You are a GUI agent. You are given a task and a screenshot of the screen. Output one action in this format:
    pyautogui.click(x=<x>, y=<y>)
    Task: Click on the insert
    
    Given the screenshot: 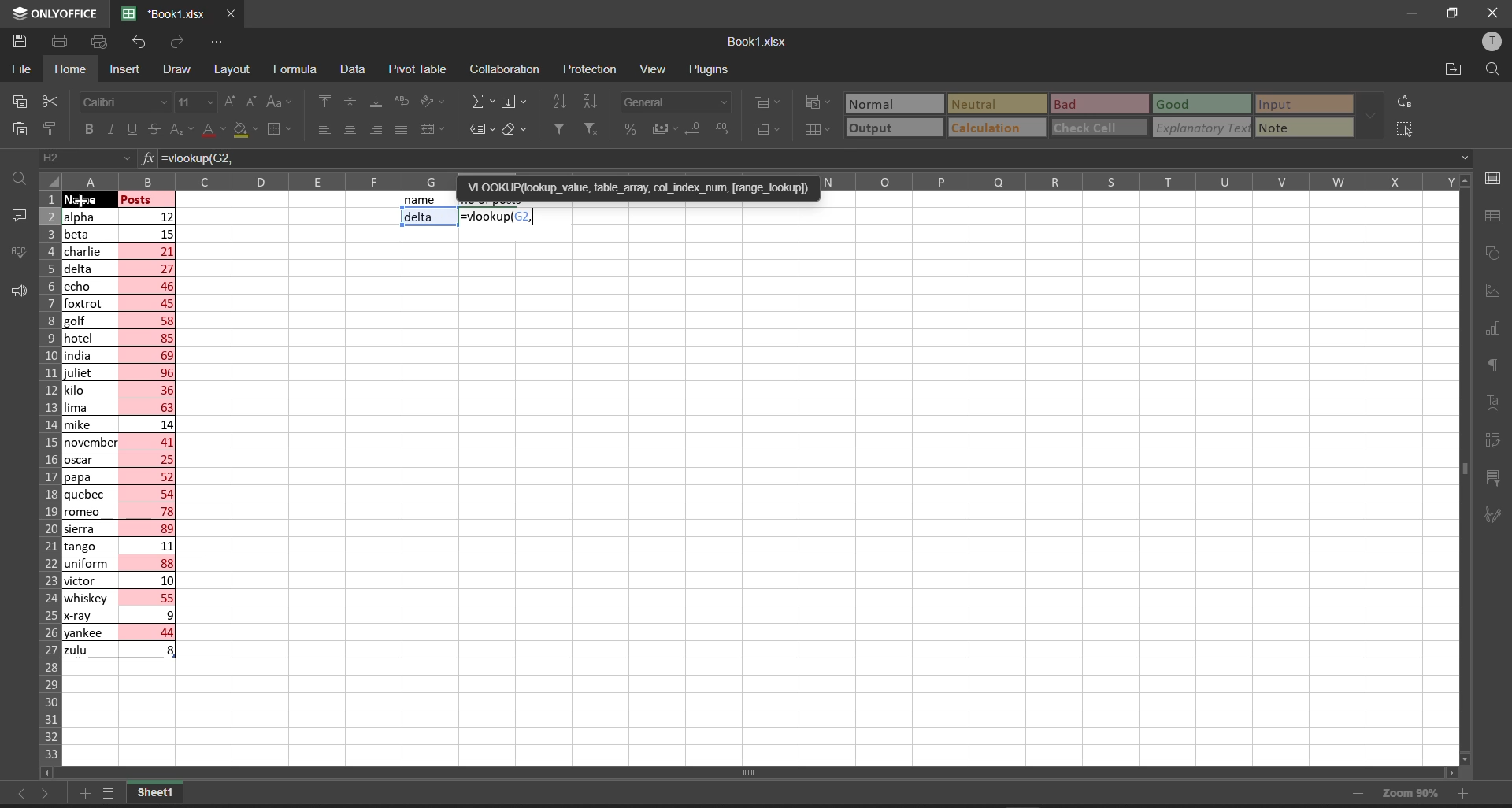 What is the action you would take?
    pyautogui.click(x=124, y=70)
    